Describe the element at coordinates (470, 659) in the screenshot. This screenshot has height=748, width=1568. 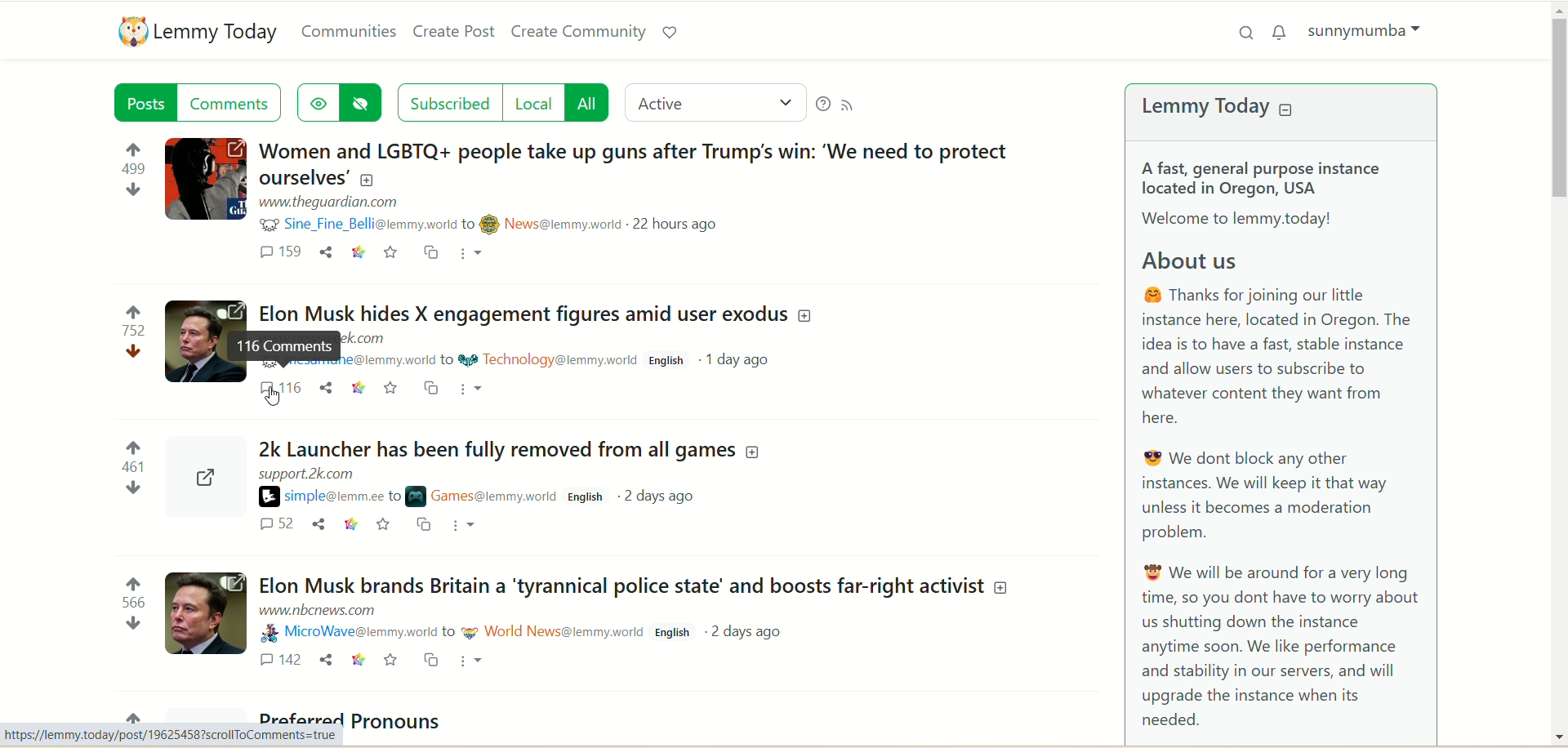
I see `more` at that location.